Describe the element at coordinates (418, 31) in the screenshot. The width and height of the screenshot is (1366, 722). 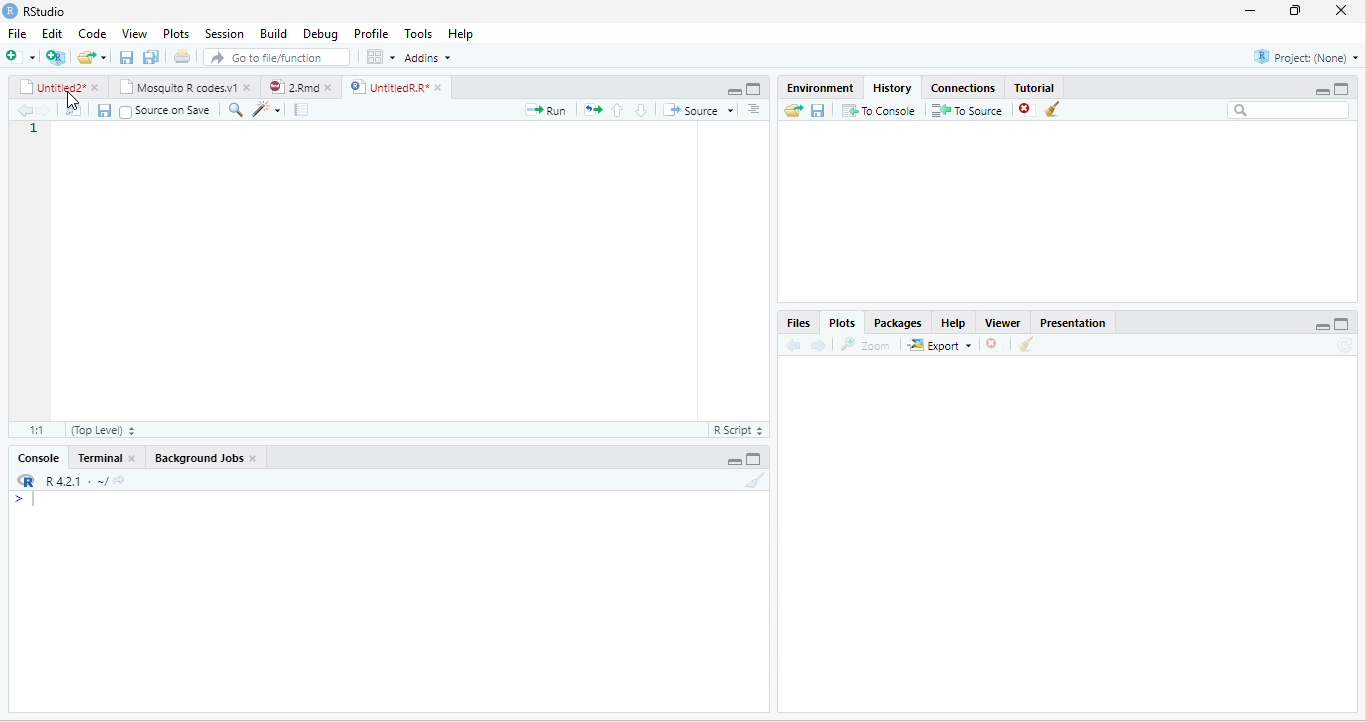
I see `tools` at that location.